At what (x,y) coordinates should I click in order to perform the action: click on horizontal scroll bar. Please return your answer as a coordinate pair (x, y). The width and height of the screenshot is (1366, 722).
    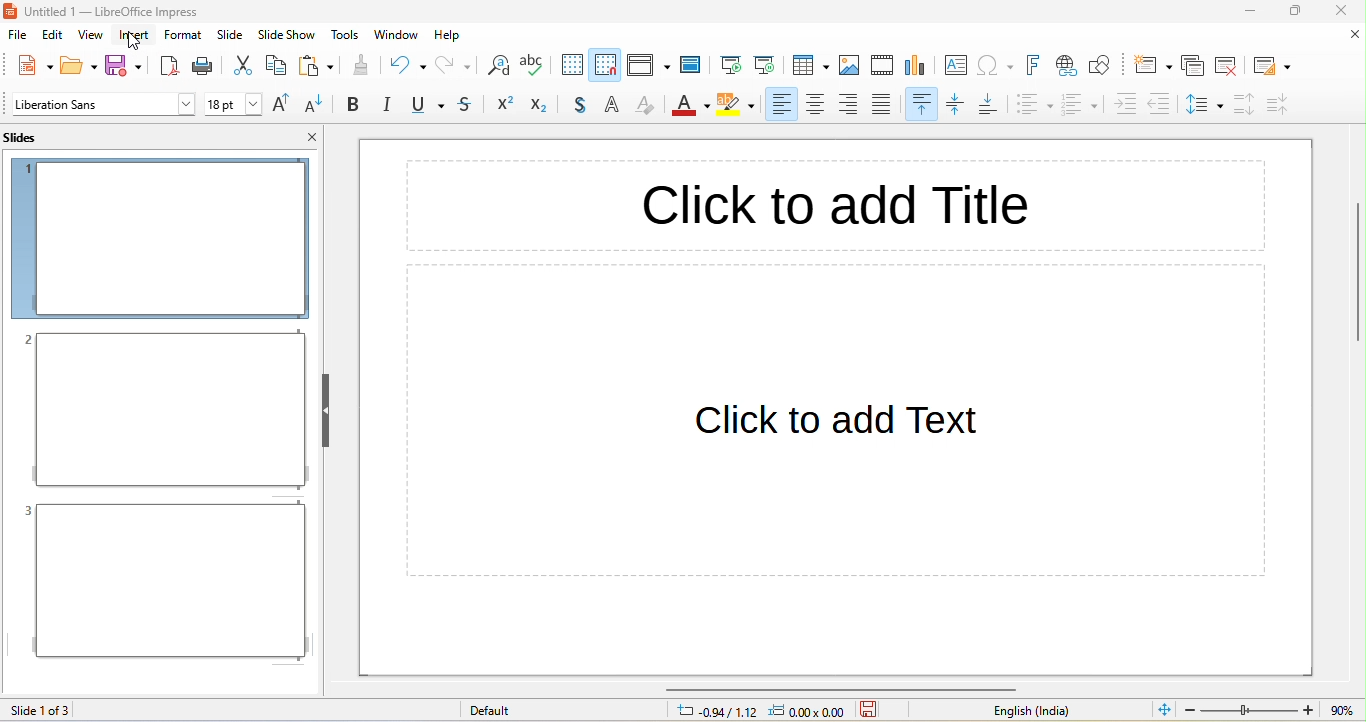
    Looking at the image, I should click on (843, 688).